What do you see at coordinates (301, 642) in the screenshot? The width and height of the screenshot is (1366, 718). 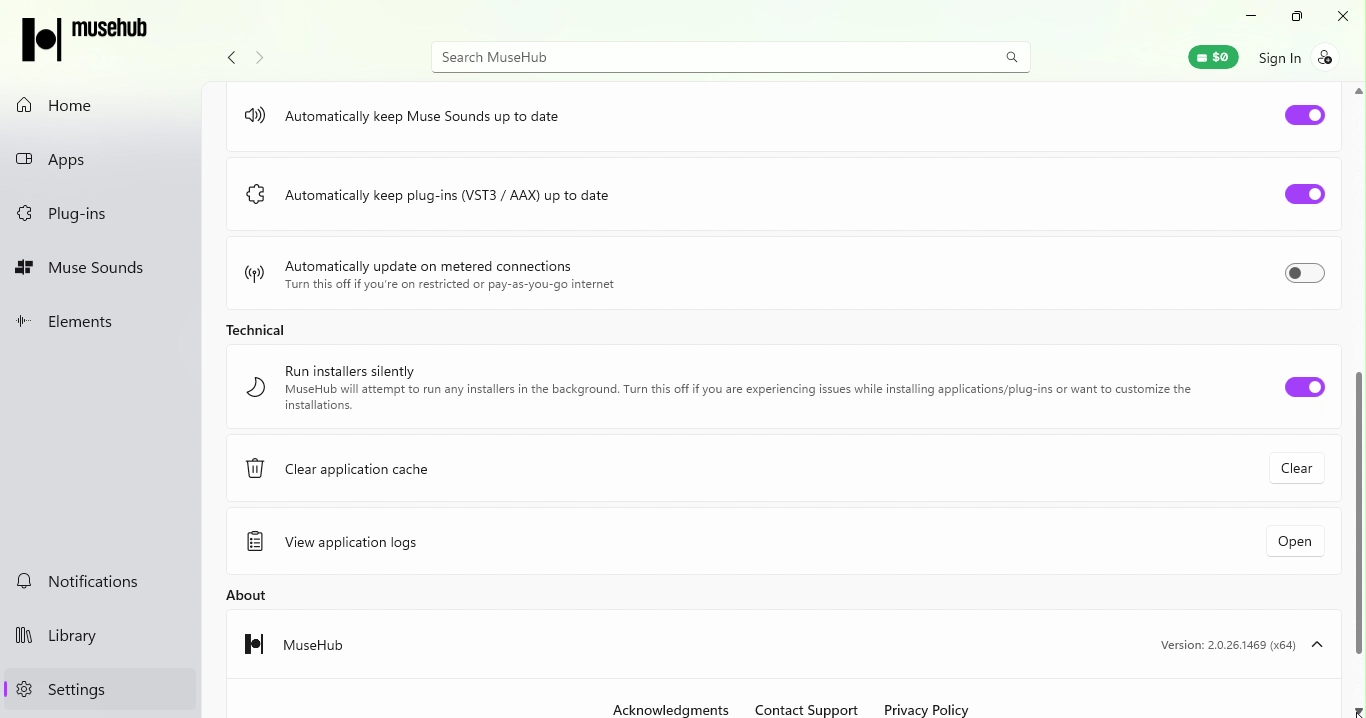 I see `Musehub` at bounding box center [301, 642].